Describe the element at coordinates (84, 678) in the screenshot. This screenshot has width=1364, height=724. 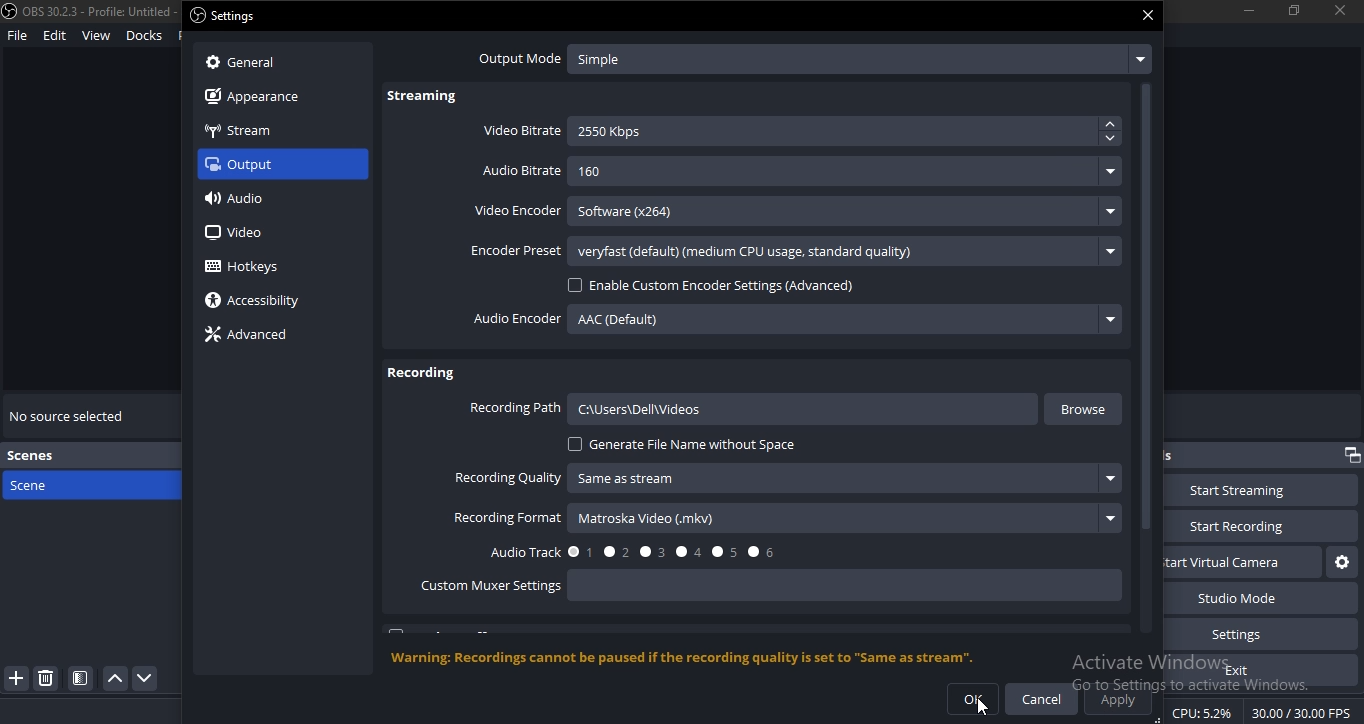
I see `grid` at that location.